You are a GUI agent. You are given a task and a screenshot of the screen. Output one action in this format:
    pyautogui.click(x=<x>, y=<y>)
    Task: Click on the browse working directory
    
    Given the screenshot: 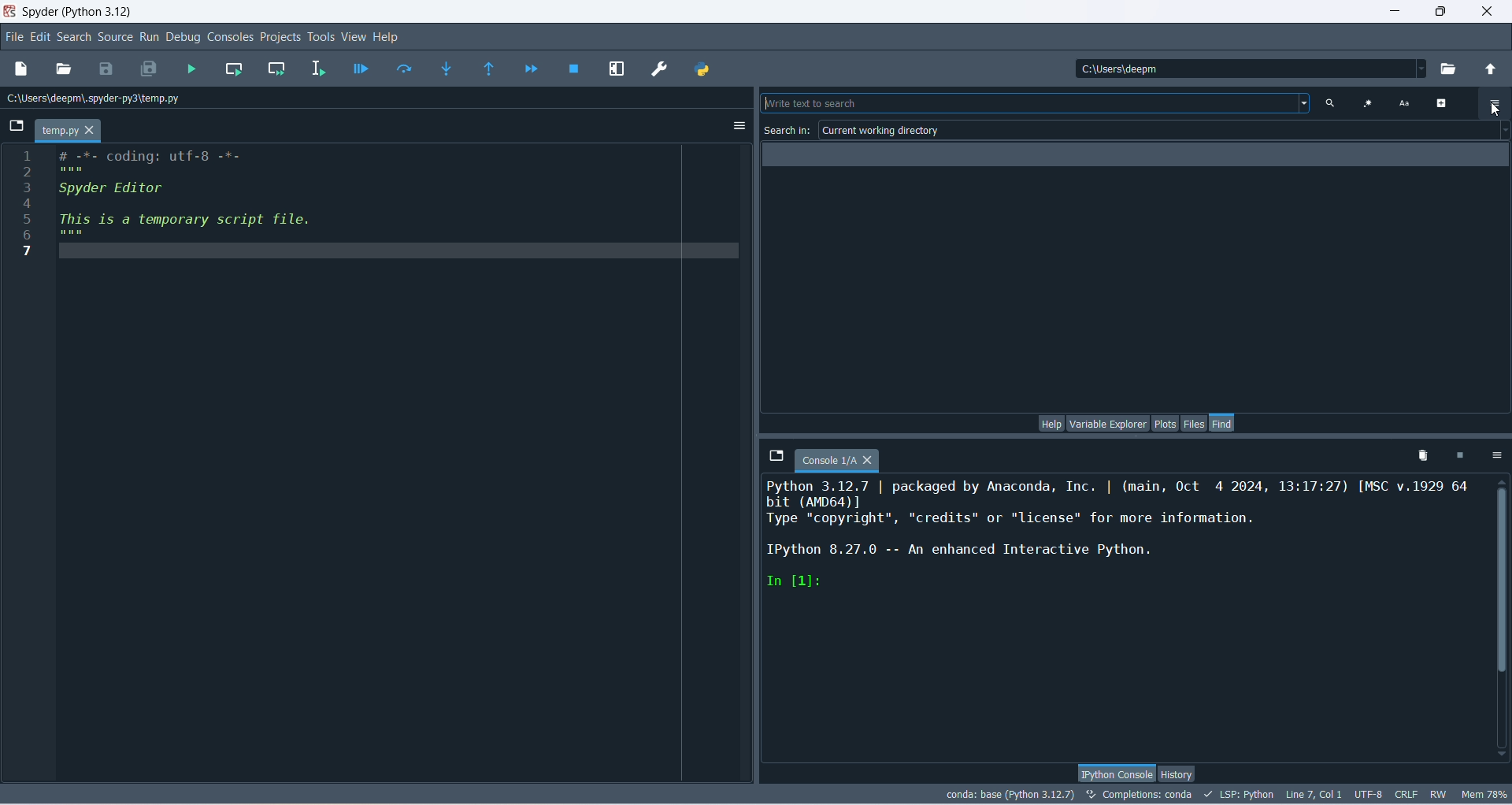 What is the action you would take?
    pyautogui.click(x=1451, y=69)
    